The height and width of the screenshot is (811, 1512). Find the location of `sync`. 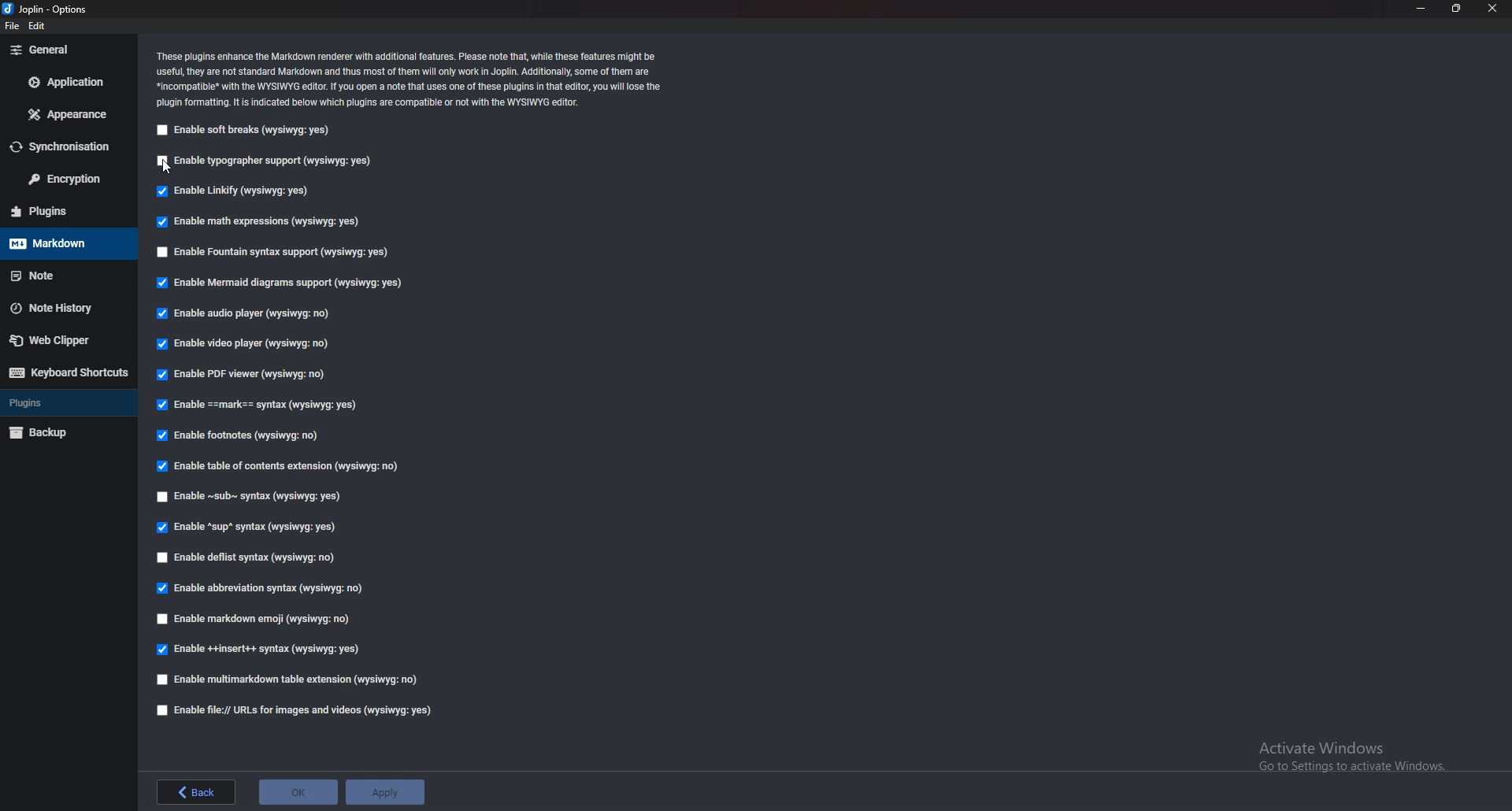

sync is located at coordinates (63, 146).